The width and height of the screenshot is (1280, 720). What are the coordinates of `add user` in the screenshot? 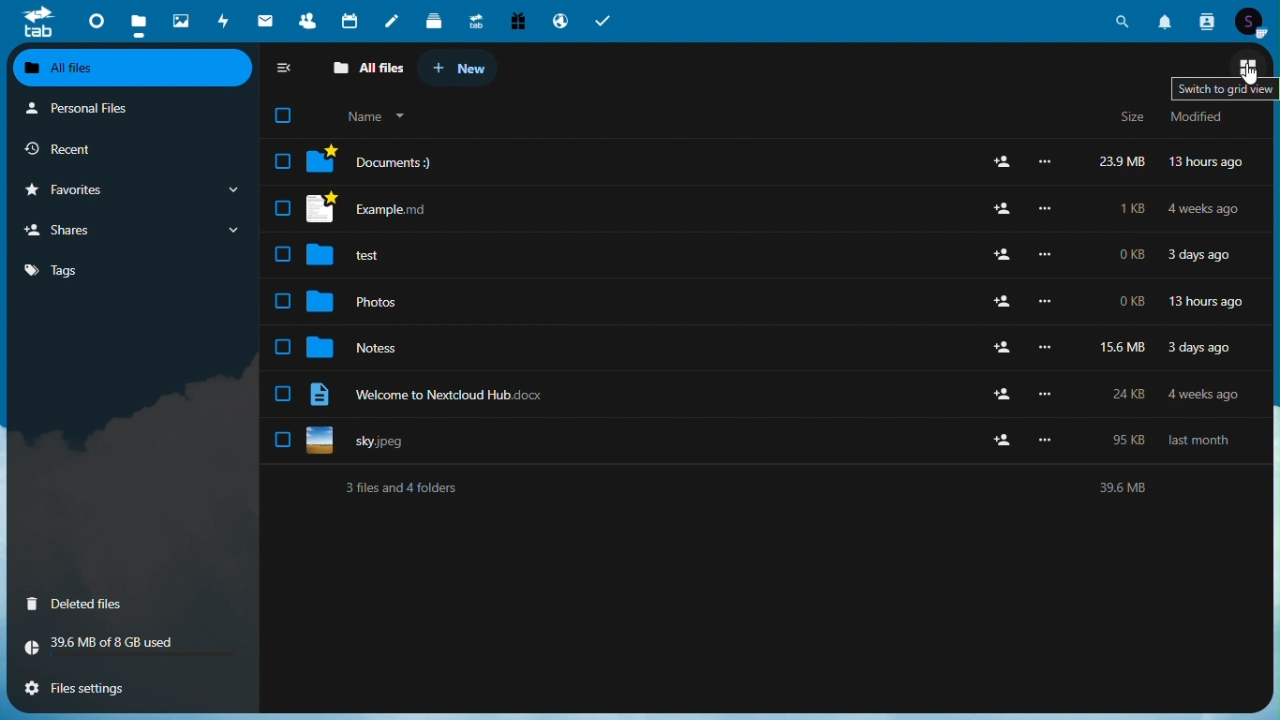 It's located at (1004, 254).